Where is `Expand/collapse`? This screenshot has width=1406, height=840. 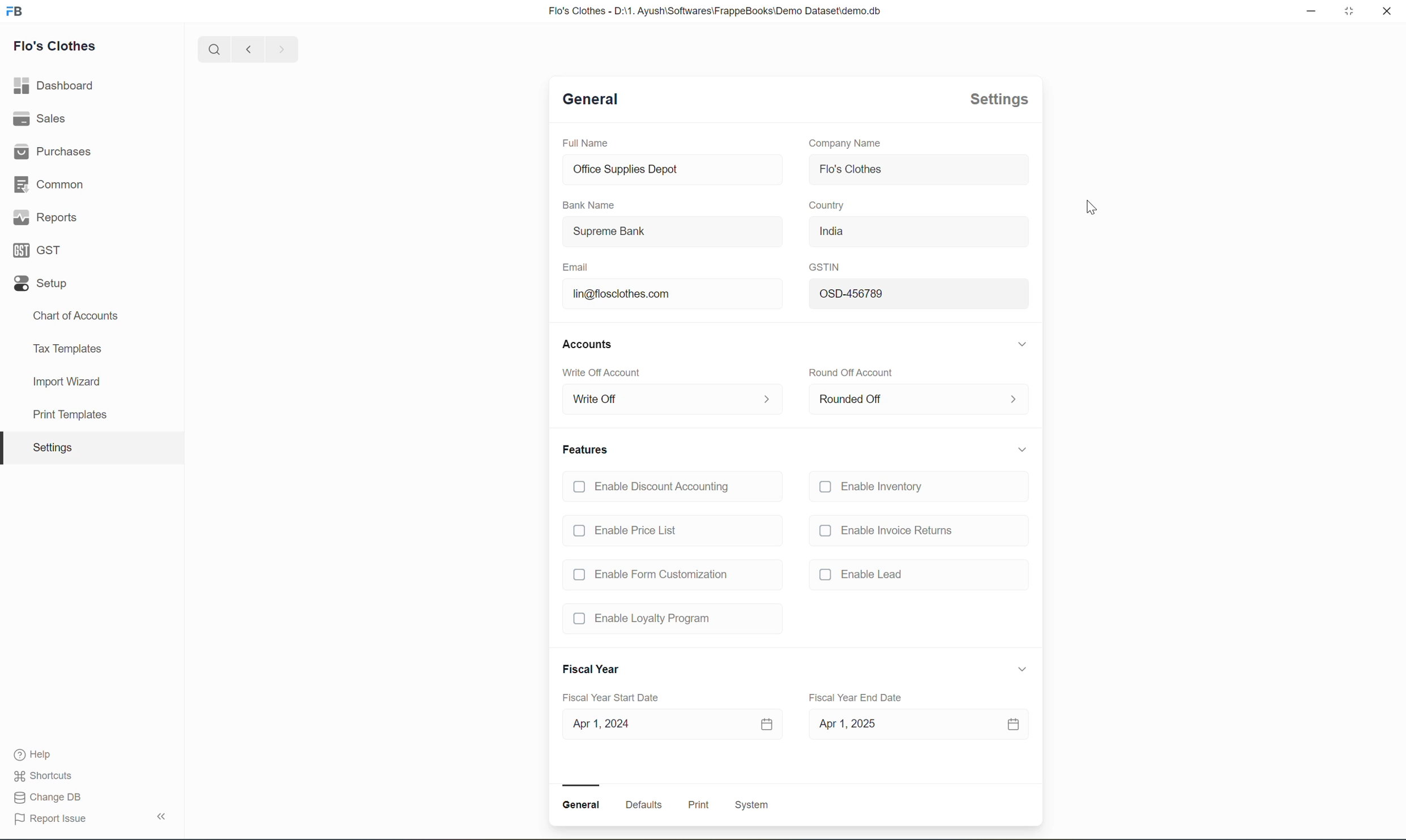 Expand/collapse is located at coordinates (1023, 343).